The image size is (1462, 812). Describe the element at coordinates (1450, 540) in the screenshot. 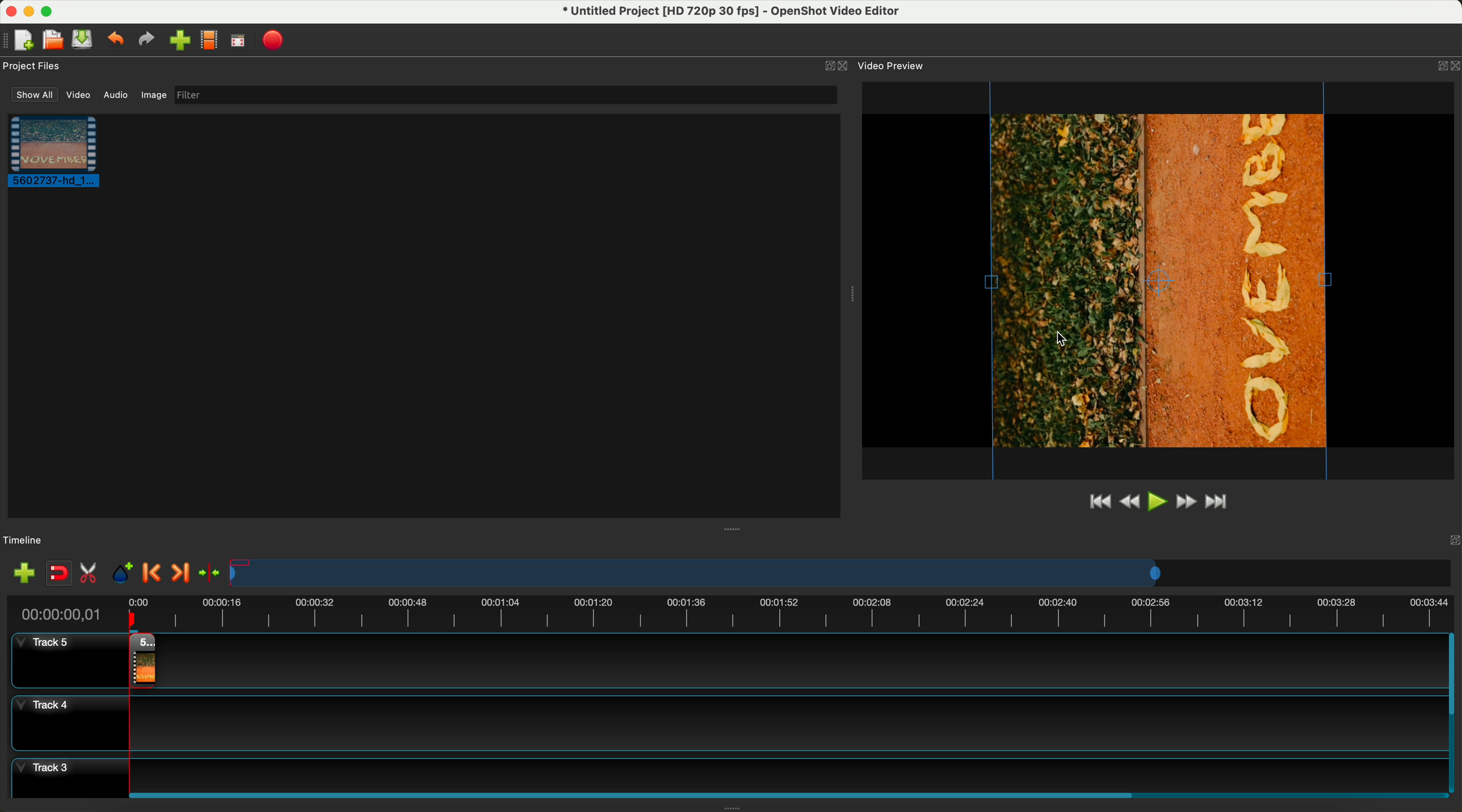

I see `` at that location.